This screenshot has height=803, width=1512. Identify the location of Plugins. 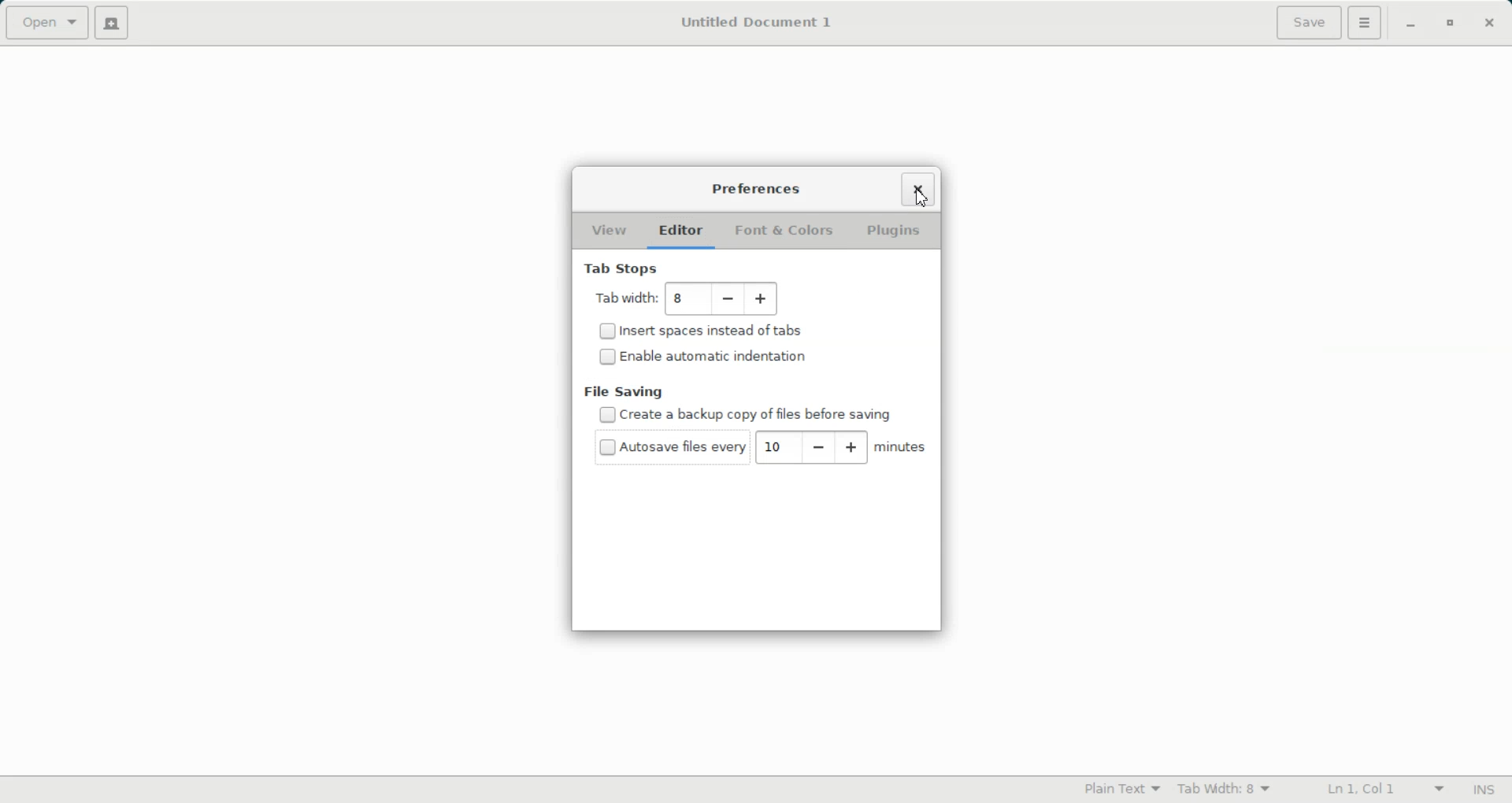
(897, 231).